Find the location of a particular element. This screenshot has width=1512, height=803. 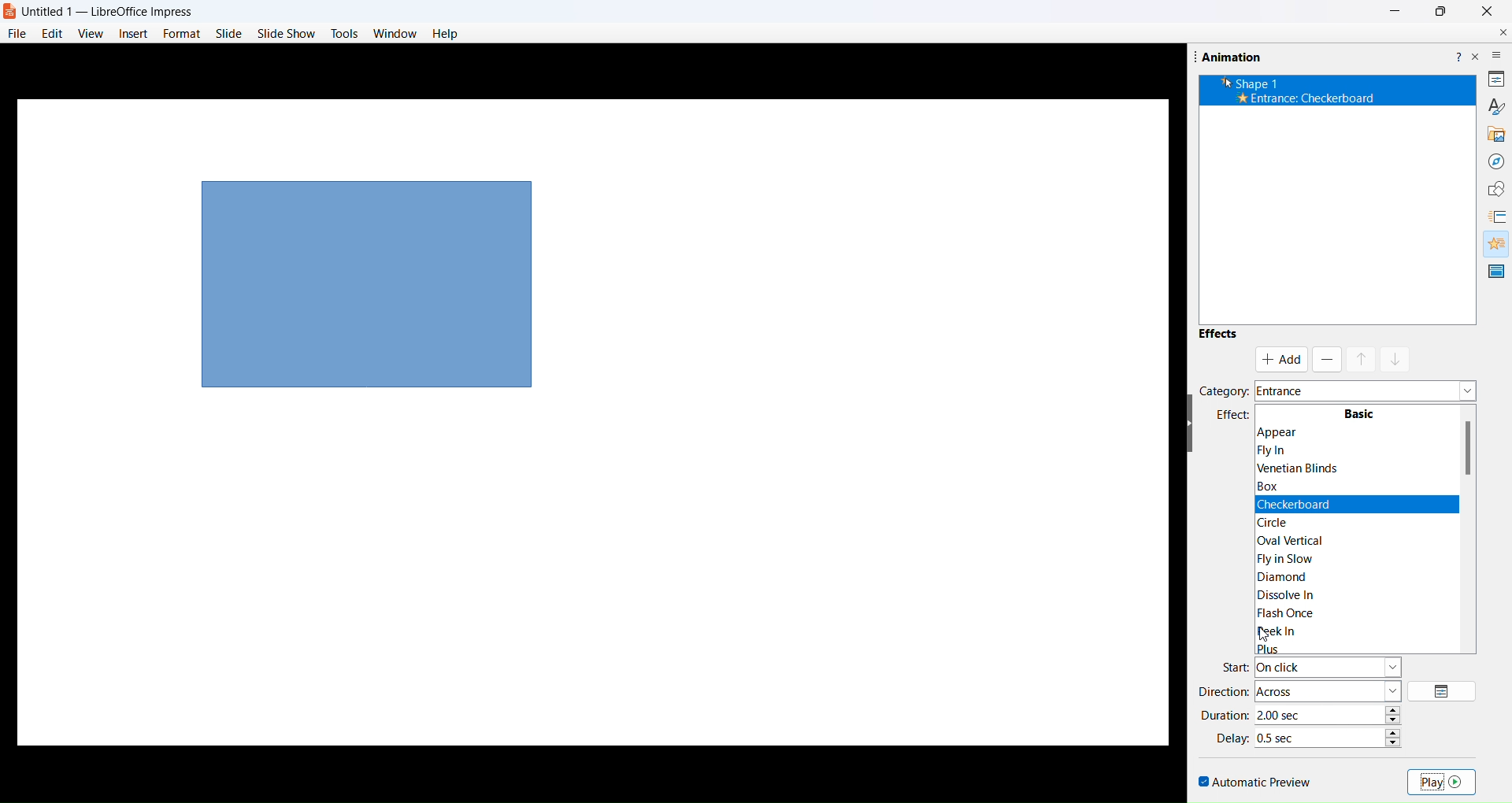

increase/decrease is located at coordinates (1395, 713).